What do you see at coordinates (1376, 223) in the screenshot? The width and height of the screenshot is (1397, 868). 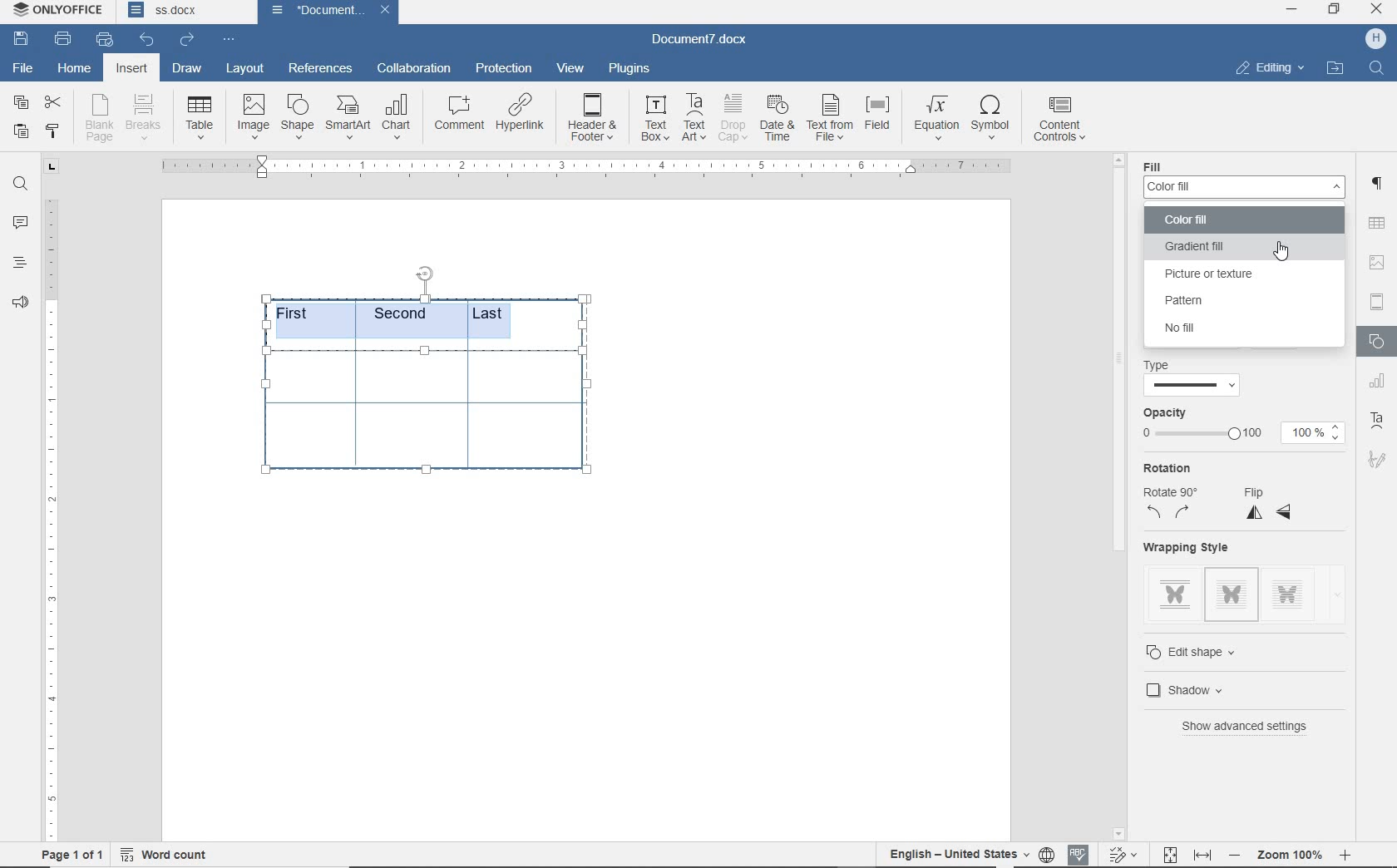 I see `TABLE` at bounding box center [1376, 223].